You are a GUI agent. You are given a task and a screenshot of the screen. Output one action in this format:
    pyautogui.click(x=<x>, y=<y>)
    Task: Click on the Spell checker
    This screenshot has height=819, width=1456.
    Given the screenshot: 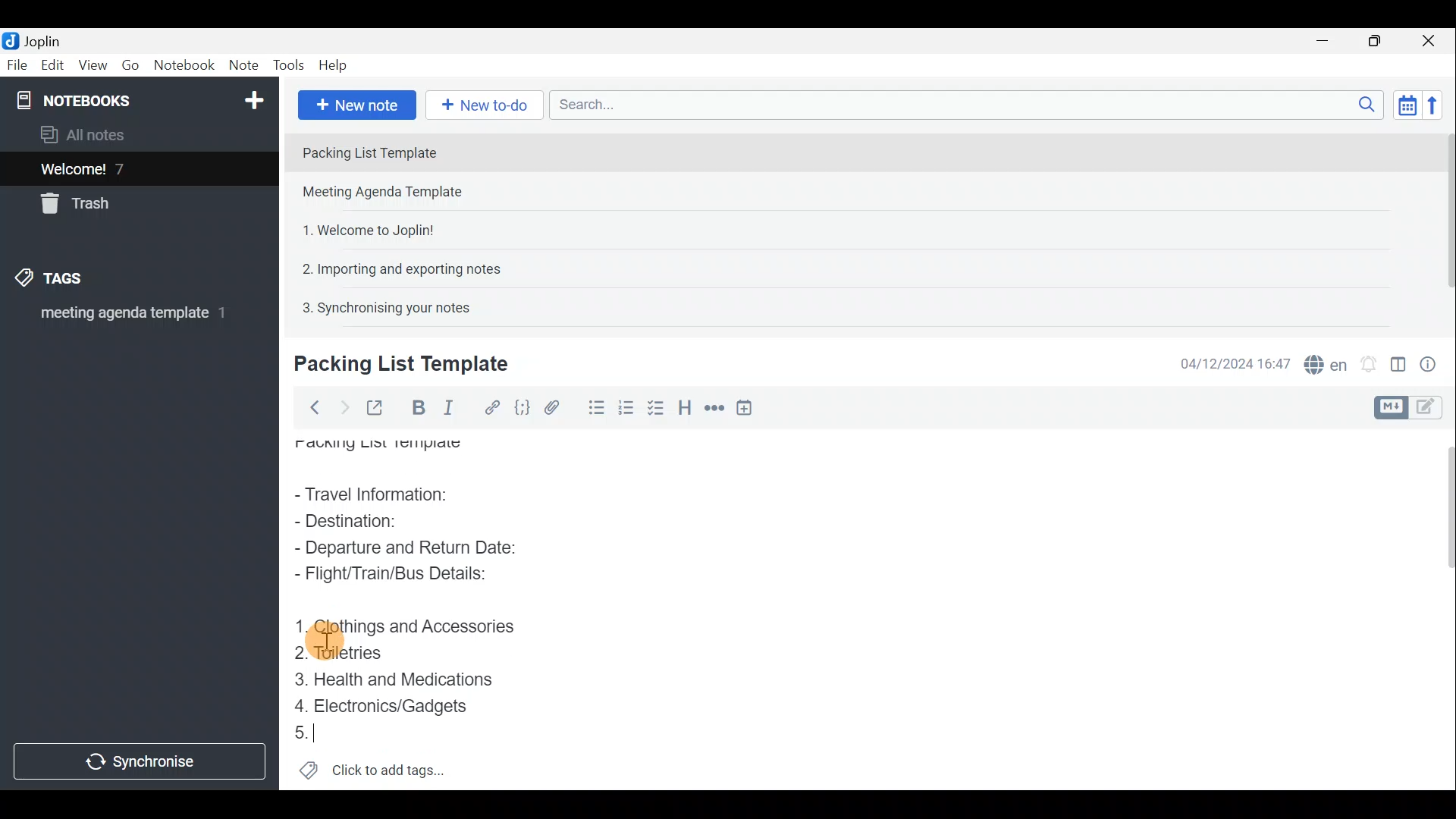 What is the action you would take?
    pyautogui.click(x=1322, y=362)
    